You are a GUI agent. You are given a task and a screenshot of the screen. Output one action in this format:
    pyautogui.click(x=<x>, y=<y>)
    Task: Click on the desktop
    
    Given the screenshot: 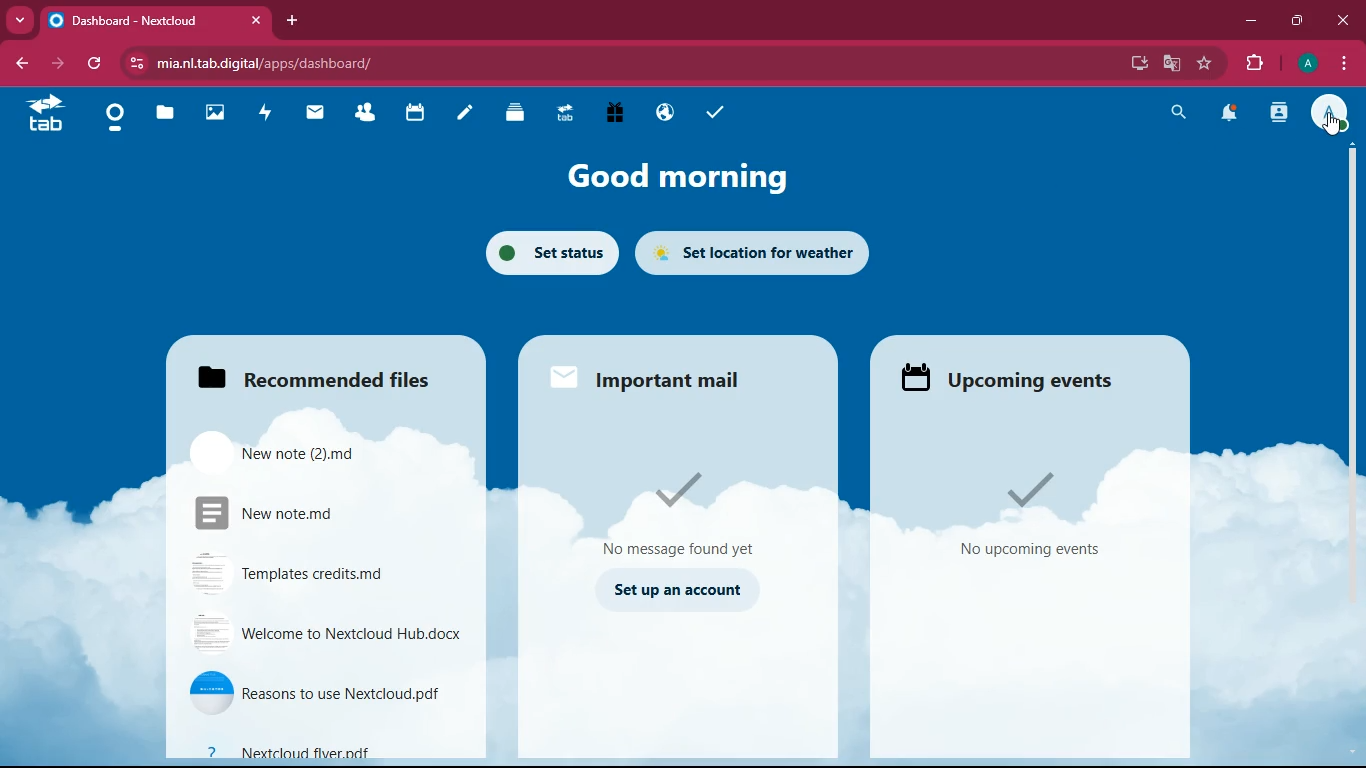 What is the action you would take?
    pyautogui.click(x=1131, y=63)
    